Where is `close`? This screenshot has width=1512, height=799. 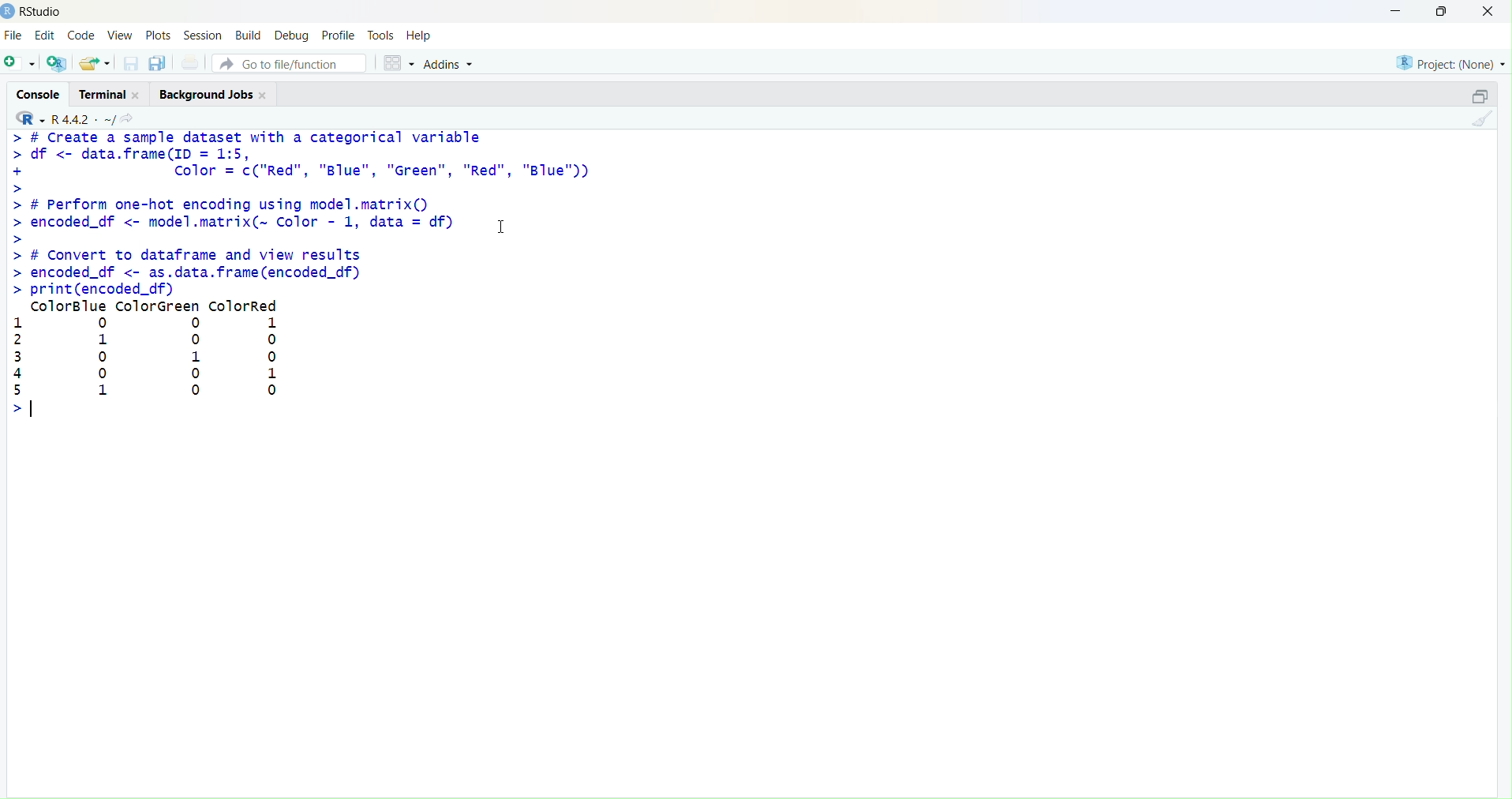 close is located at coordinates (137, 96).